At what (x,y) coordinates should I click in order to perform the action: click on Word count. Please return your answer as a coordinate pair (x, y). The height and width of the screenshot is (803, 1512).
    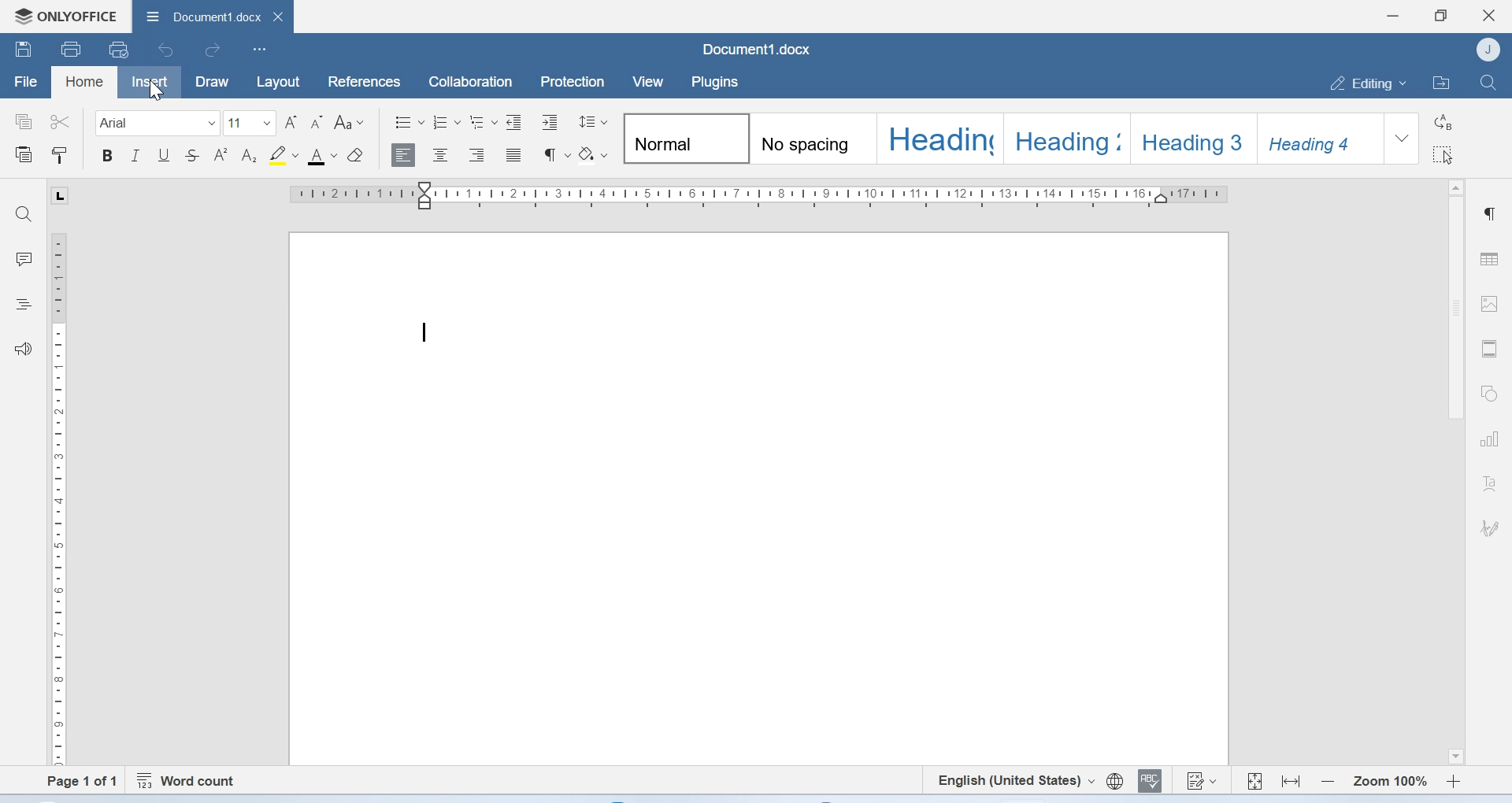
    Looking at the image, I should click on (190, 778).